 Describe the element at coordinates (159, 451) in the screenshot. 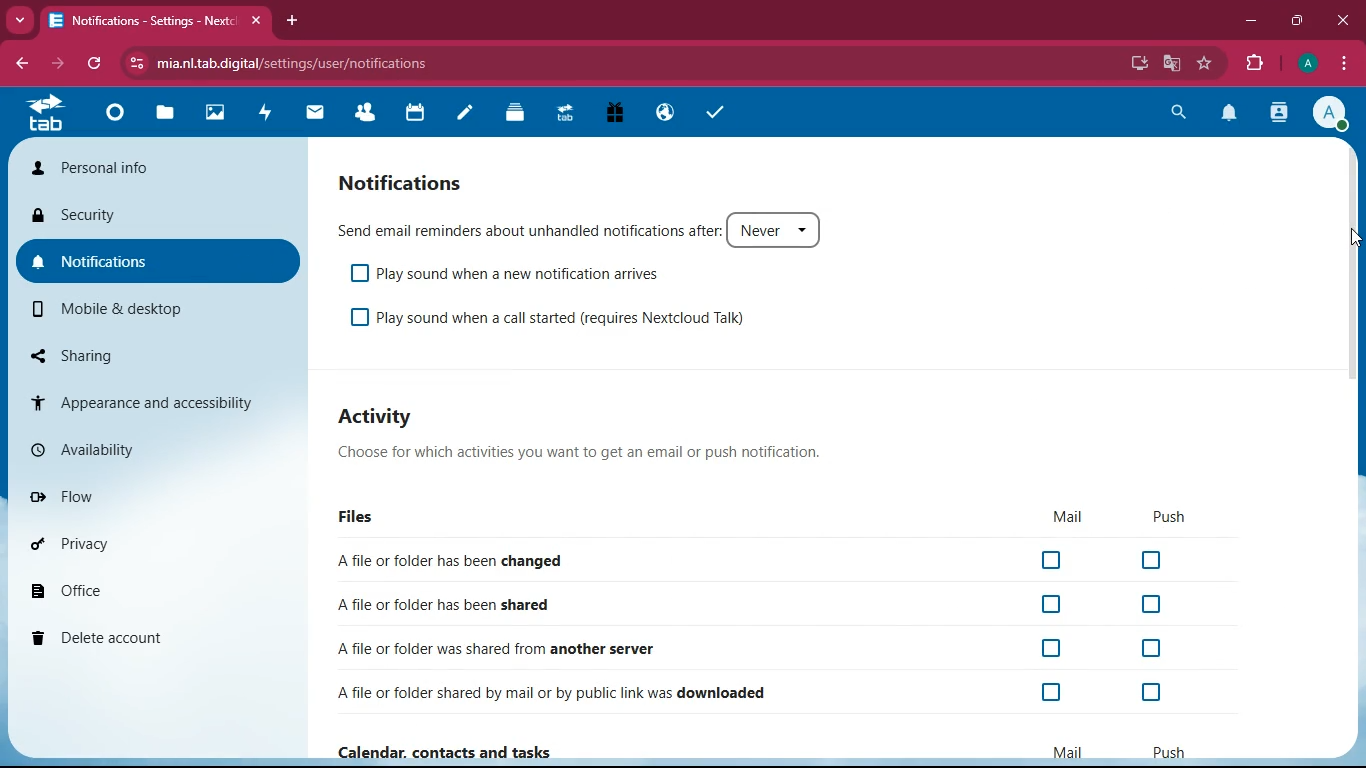

I see `availability` at that location.